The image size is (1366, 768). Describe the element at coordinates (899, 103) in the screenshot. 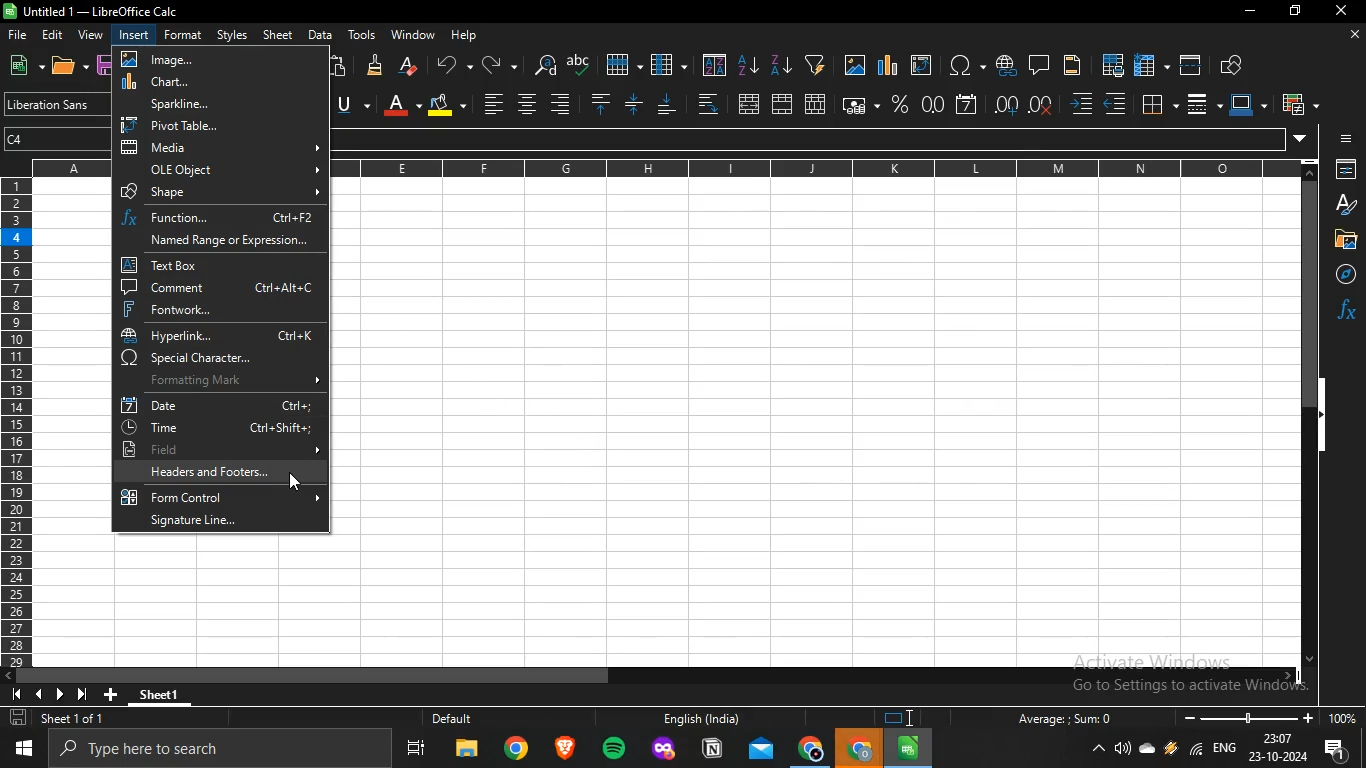

I see `format as percent ` at that location.